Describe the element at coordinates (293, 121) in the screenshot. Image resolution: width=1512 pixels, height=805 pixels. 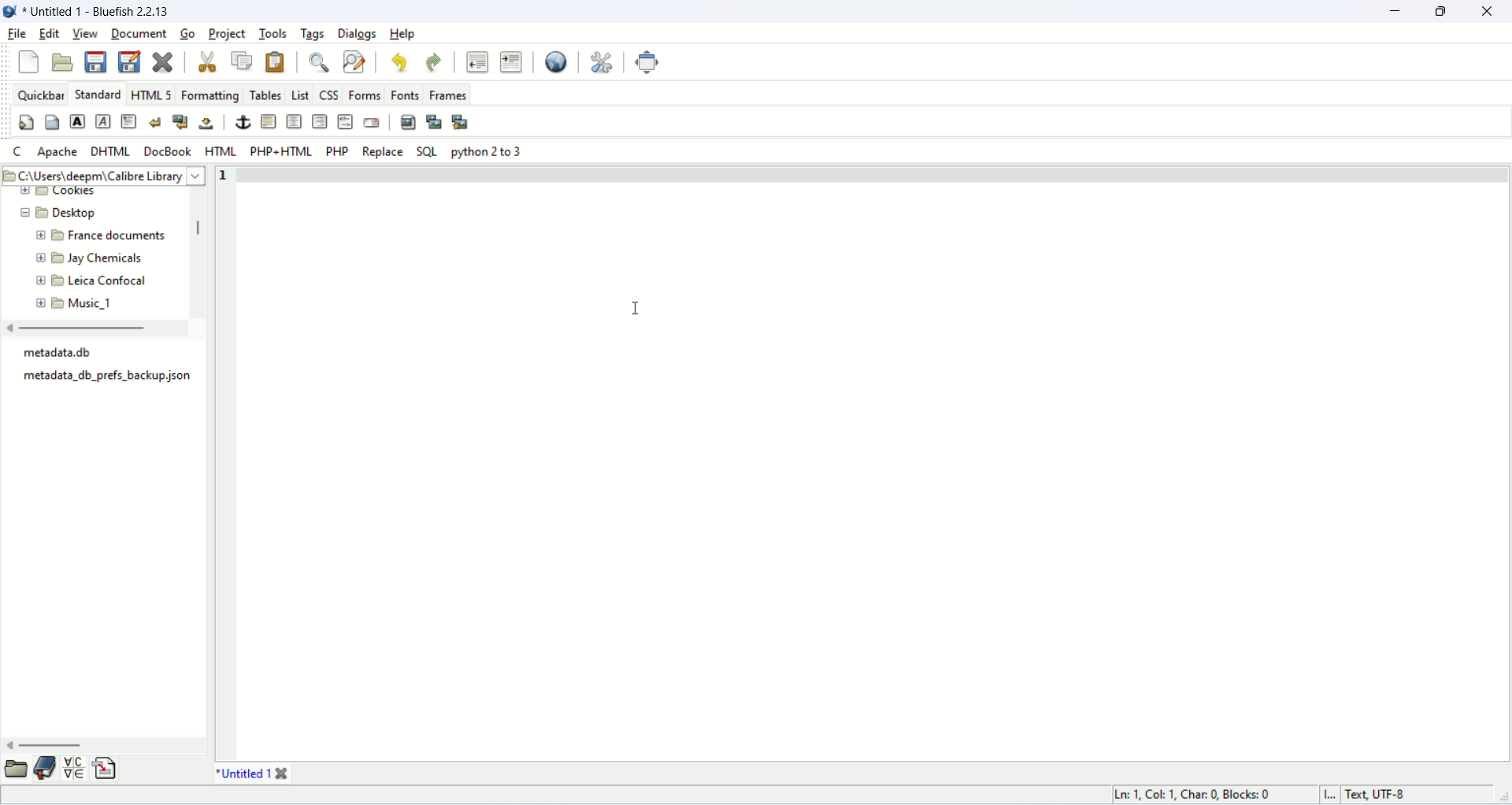
I see `center` at that location.